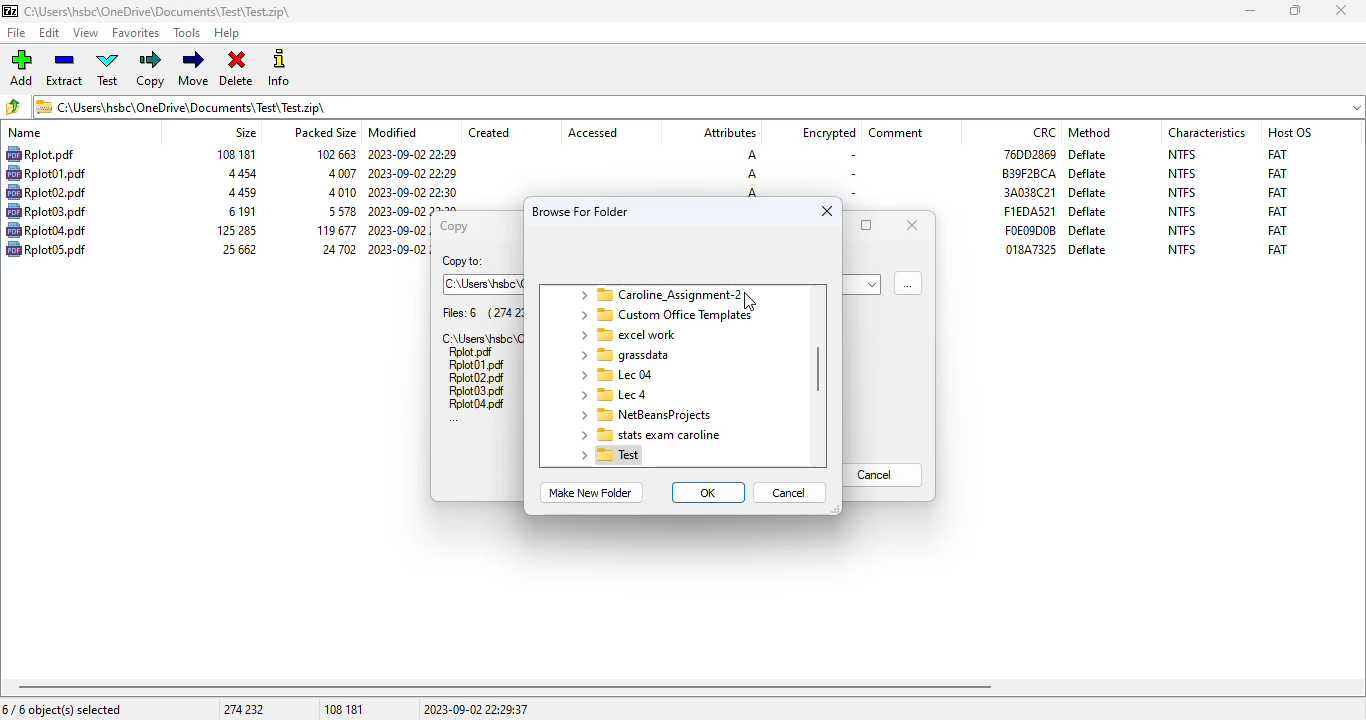 Image resolution: width=1366 pixels, height=720 pixels. Describe the element at coordinates (1031, 249) in the screenshot. I see `CRC` at that location.